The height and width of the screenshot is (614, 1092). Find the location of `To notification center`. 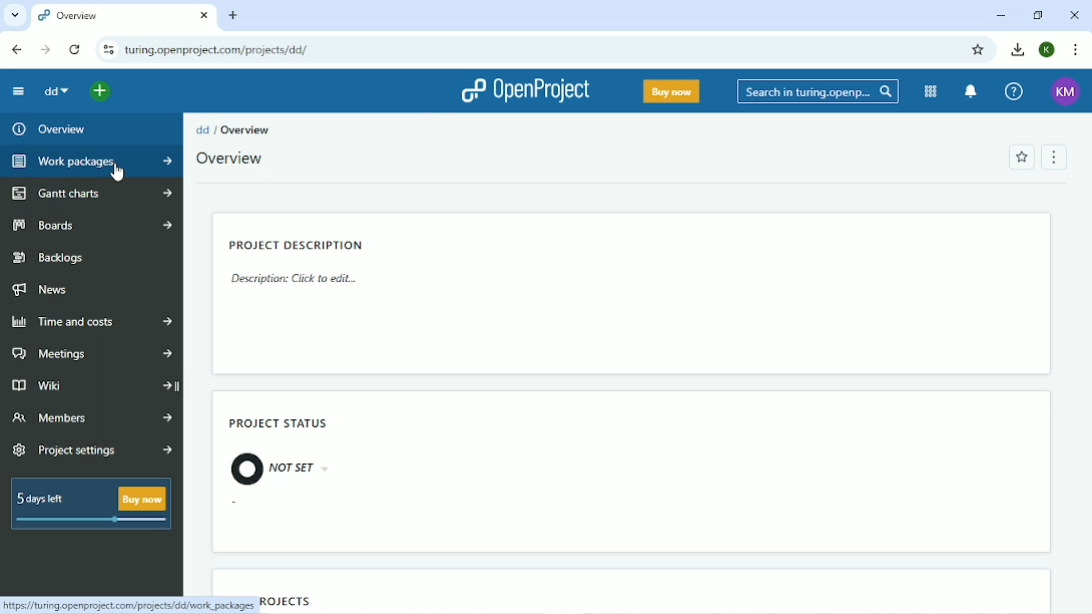

To notification center is located at coordinates (971, 91).